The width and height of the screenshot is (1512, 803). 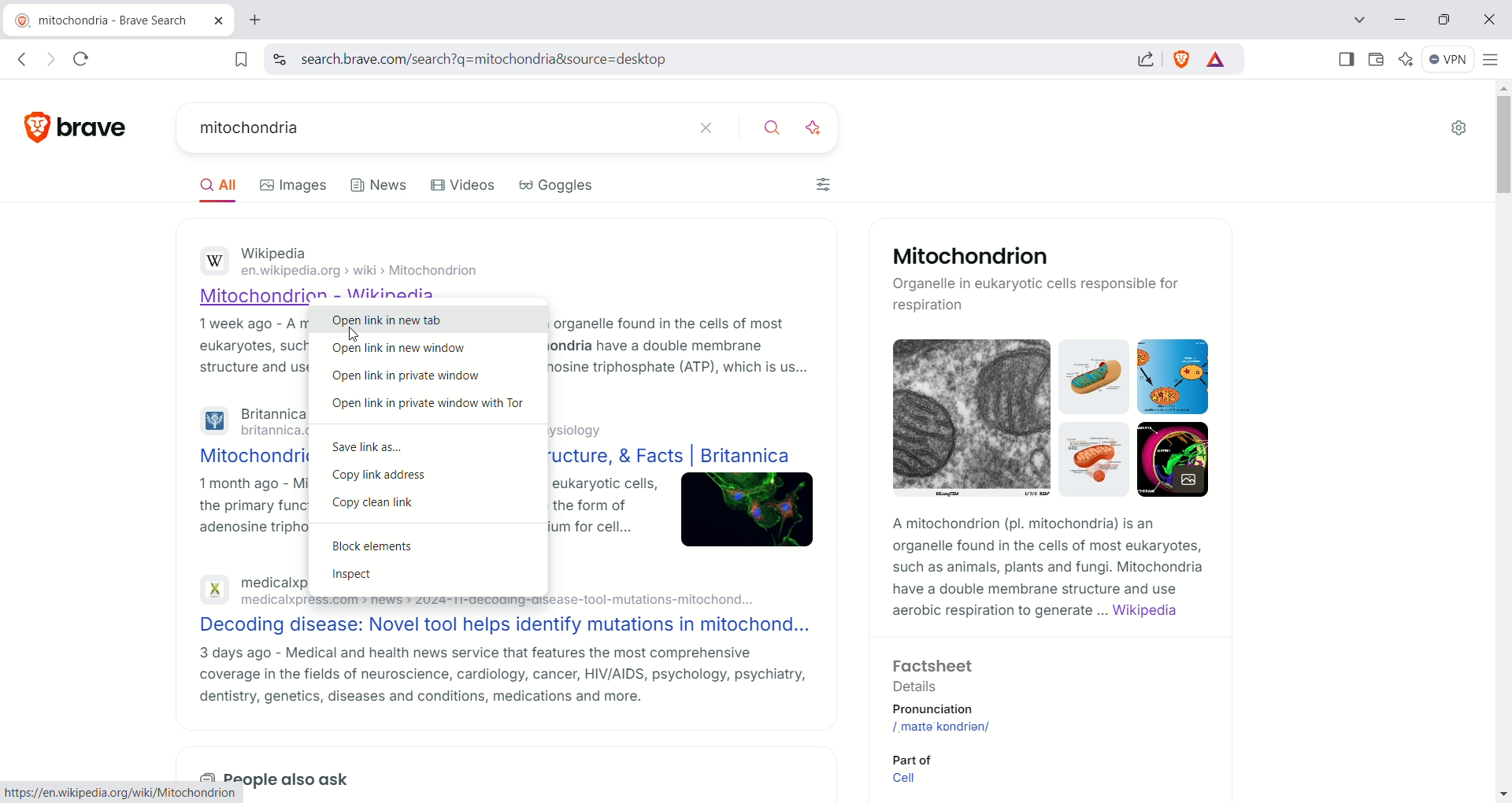 What do you see at coordinates (1360, 20) in the screenshot?
I see `search tab` at bounding box center [1360, 20].